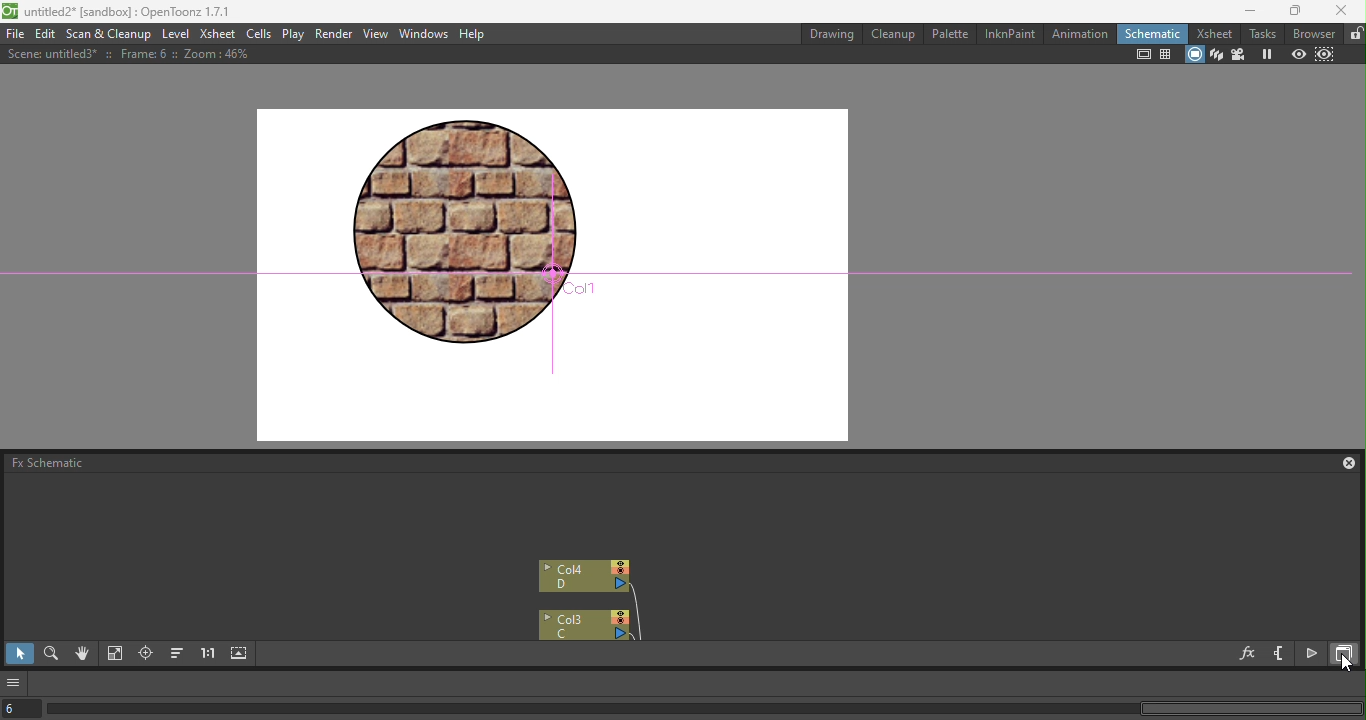 The image size is (1366, 720). I want to click on InknPaint, so click(1011, 34).